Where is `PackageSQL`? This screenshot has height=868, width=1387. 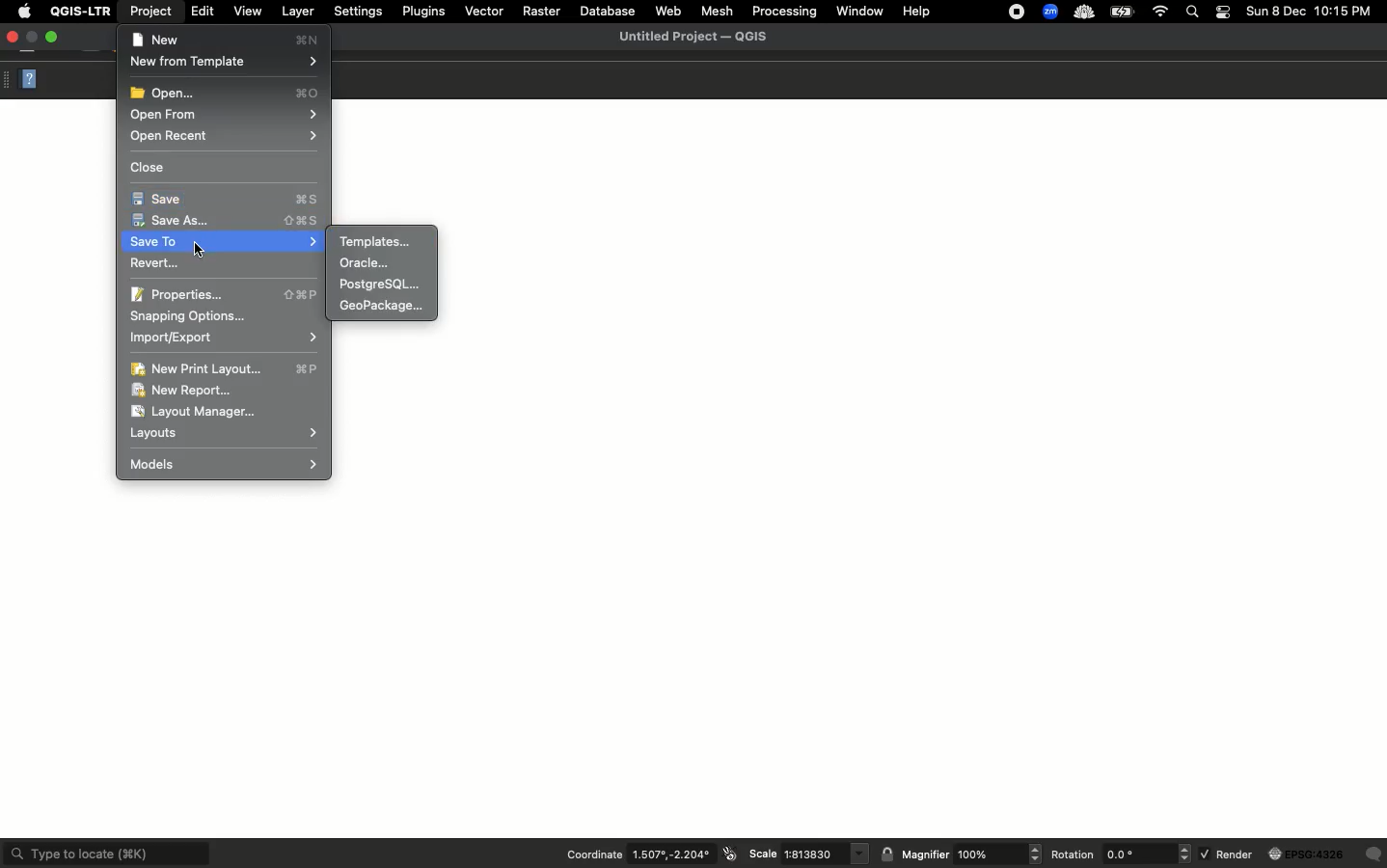
PackageSQL is located at coordinates (386, 285).